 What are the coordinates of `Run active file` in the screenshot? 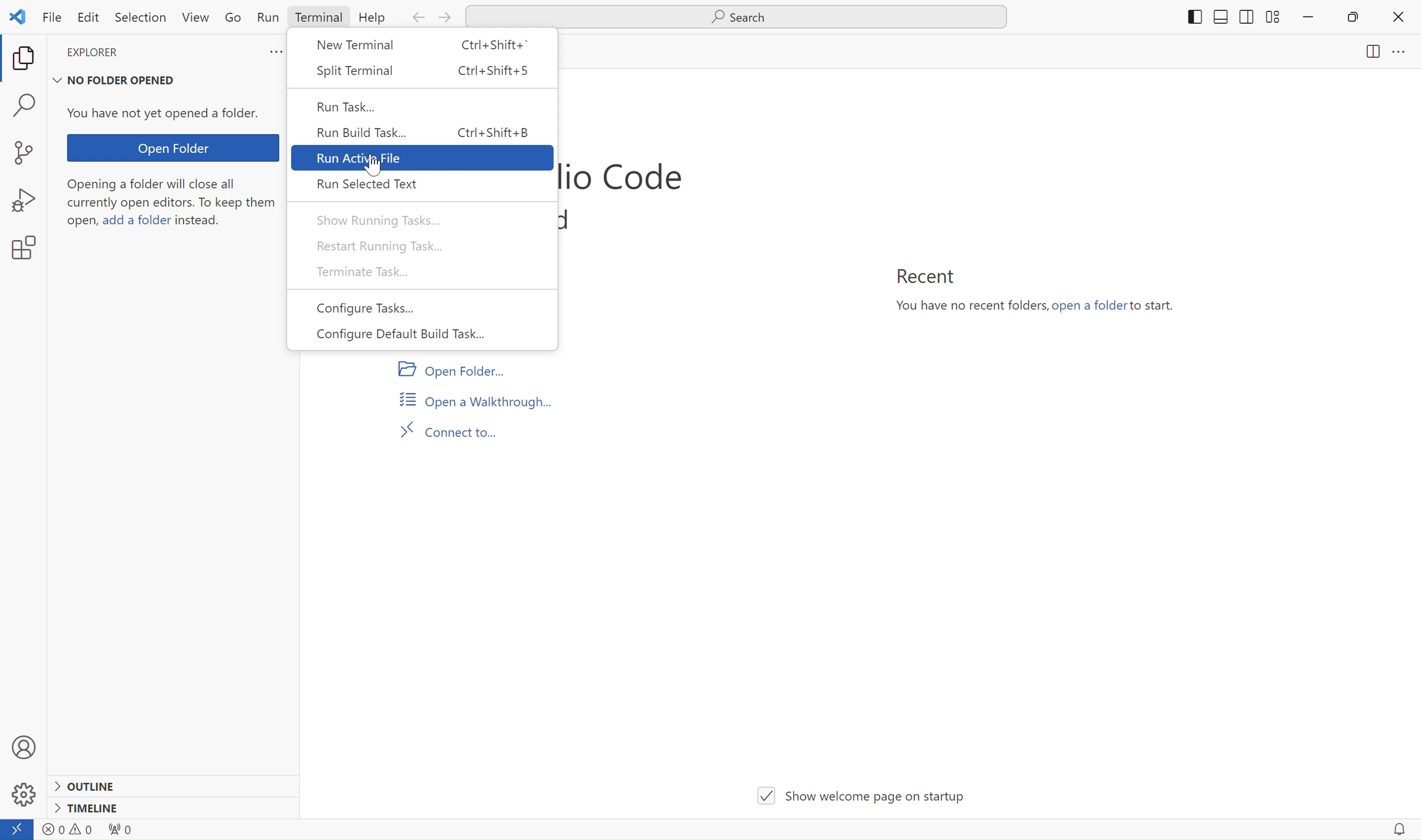 It's located at (424, 157).